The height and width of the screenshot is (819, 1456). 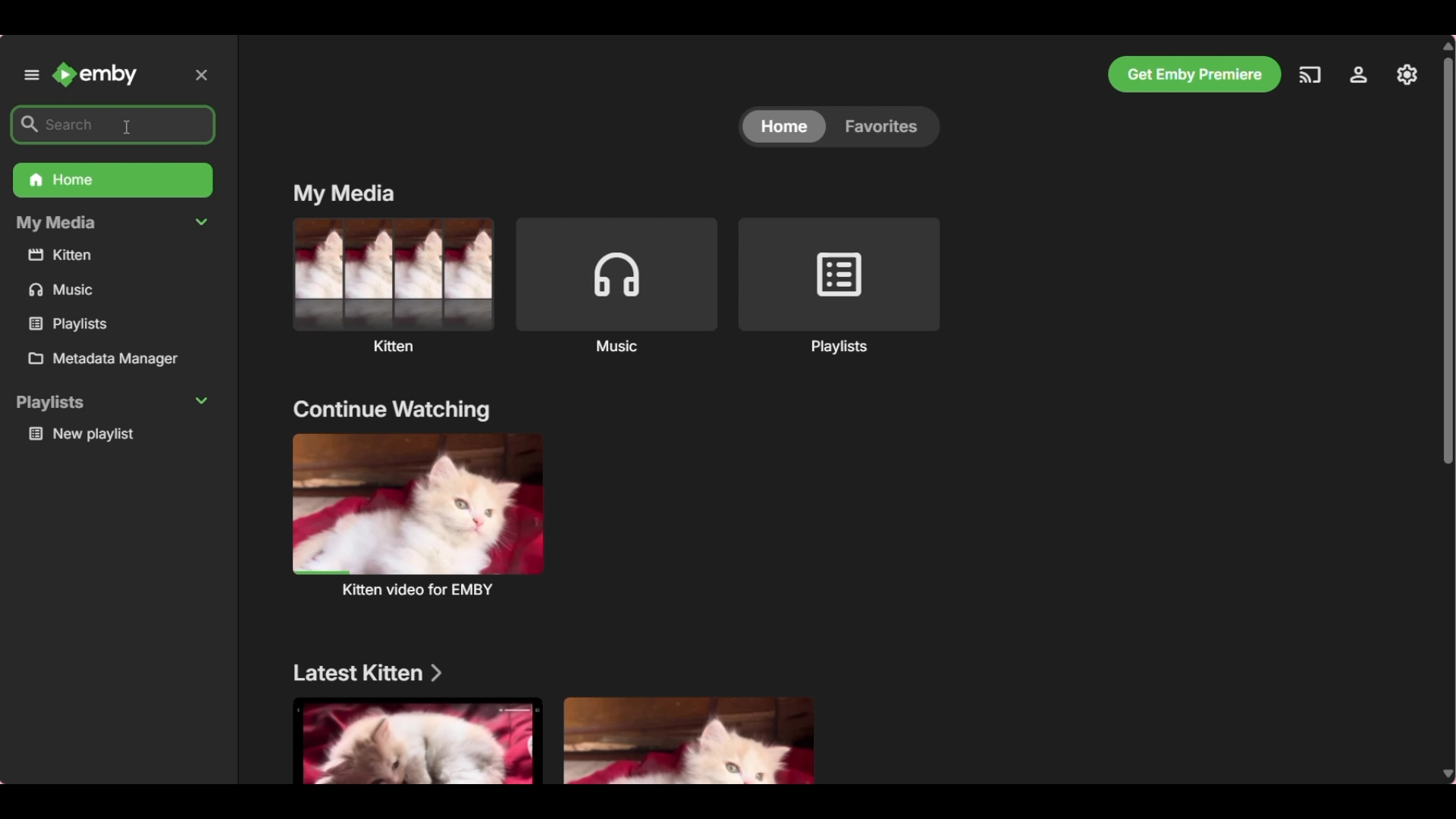 I want to click on Playlists, so click(x=115, y=403).